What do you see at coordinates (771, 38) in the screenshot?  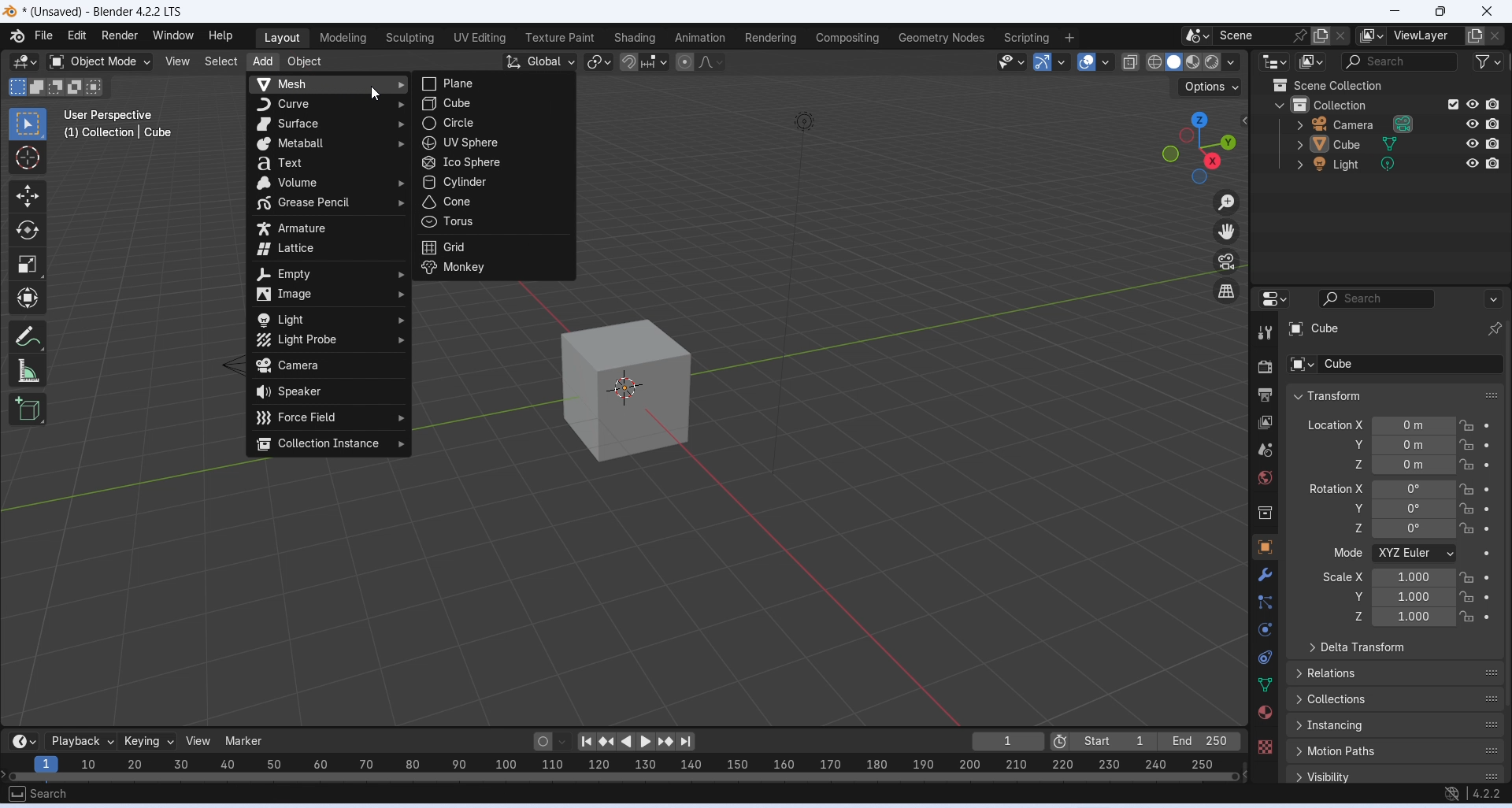 I see `Rendering` at bounding box center [771, 38].